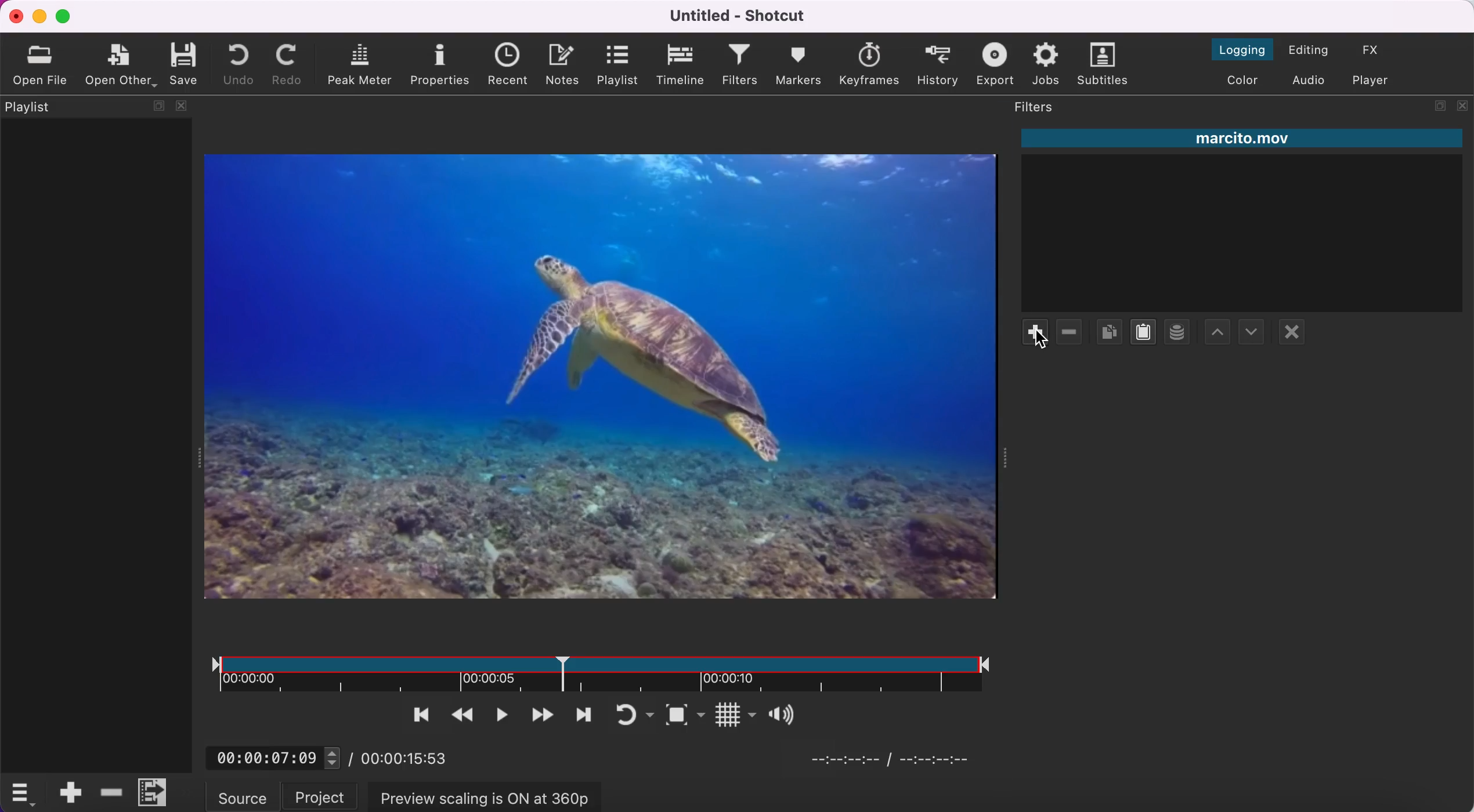 This screenshot has height=812, width=1474. I want to click on menu, so click(156, 791).